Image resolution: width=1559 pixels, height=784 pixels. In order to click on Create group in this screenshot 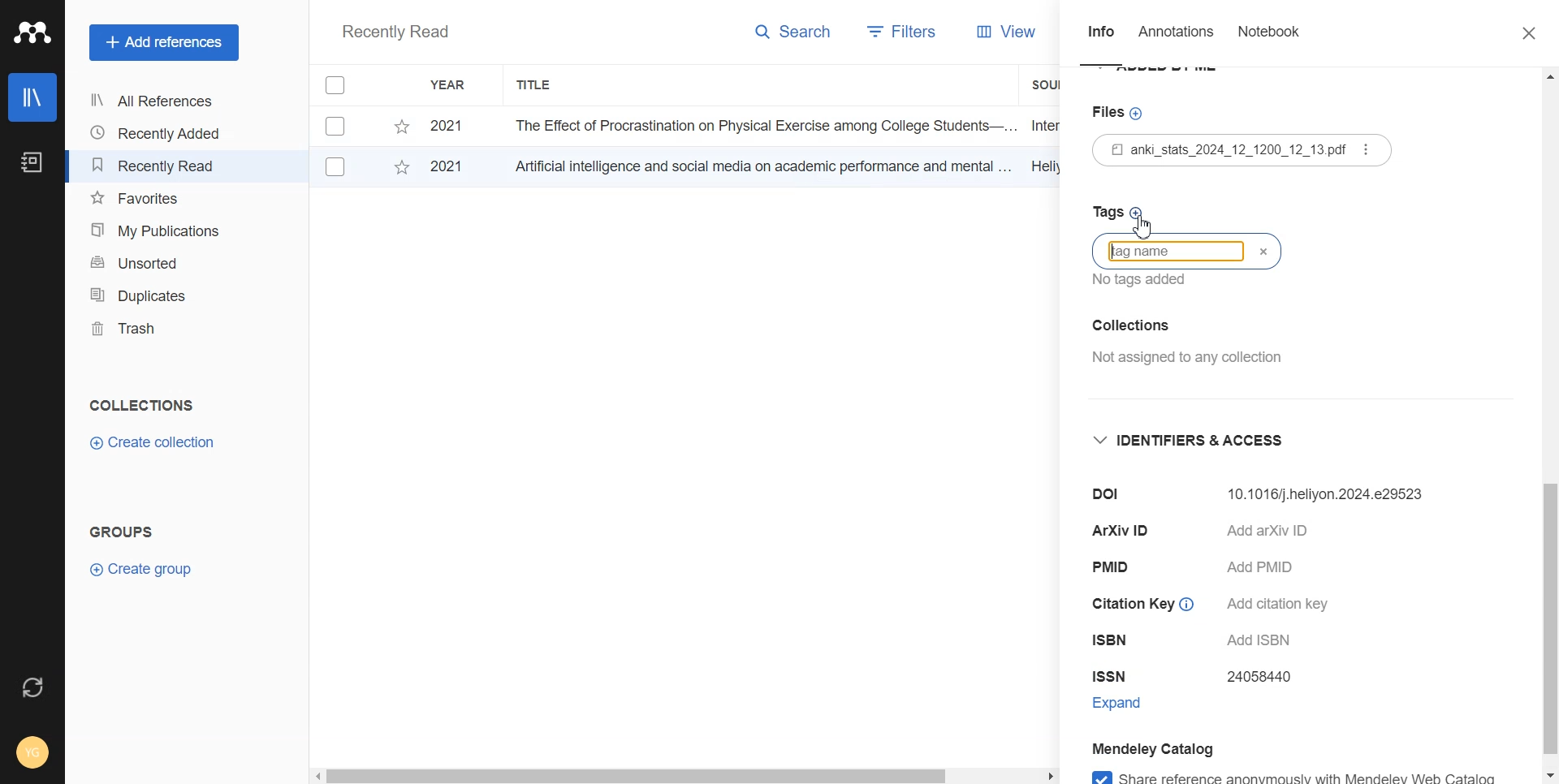, I will do `click(142, 567)`.